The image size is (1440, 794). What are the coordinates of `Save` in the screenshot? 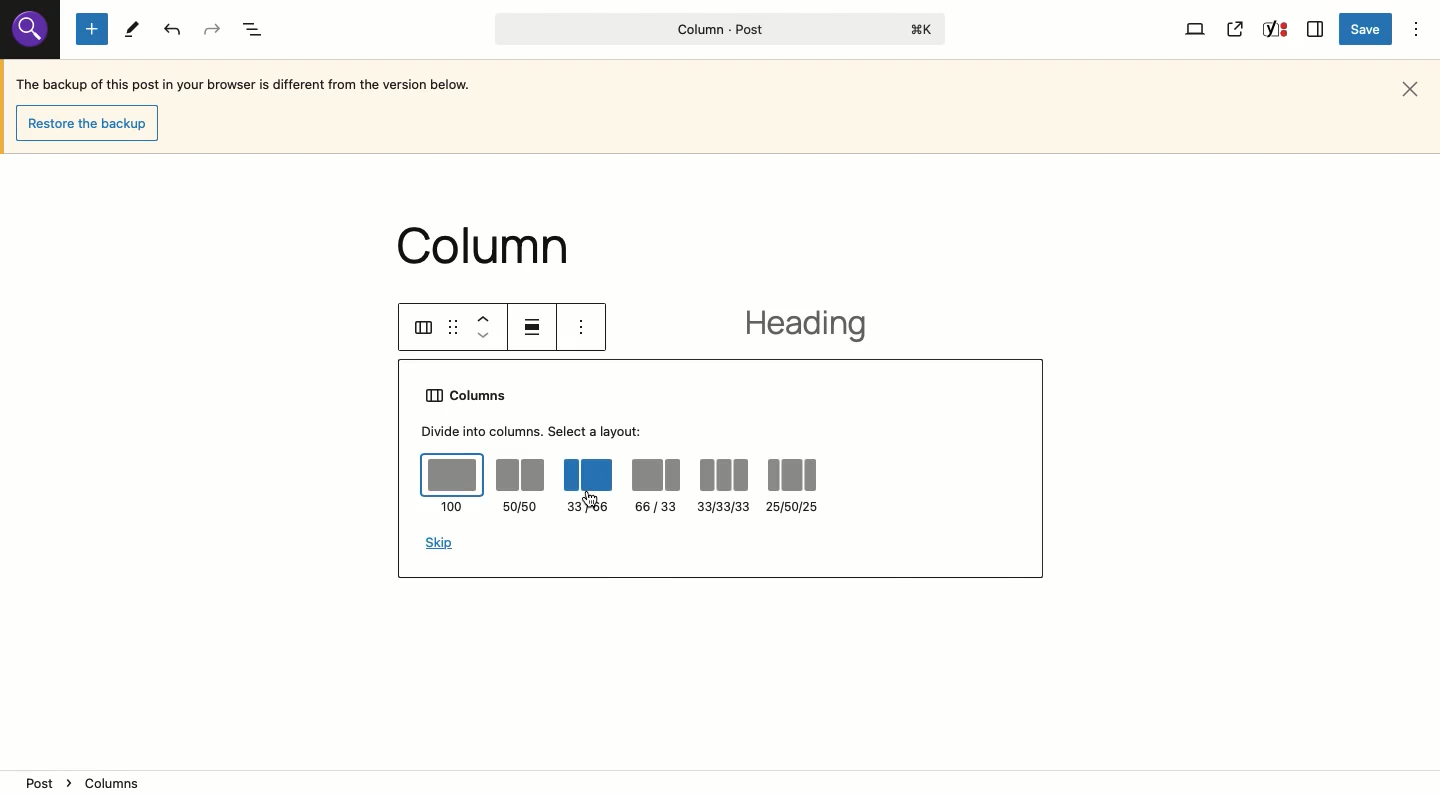 It's located at (1368, 30).